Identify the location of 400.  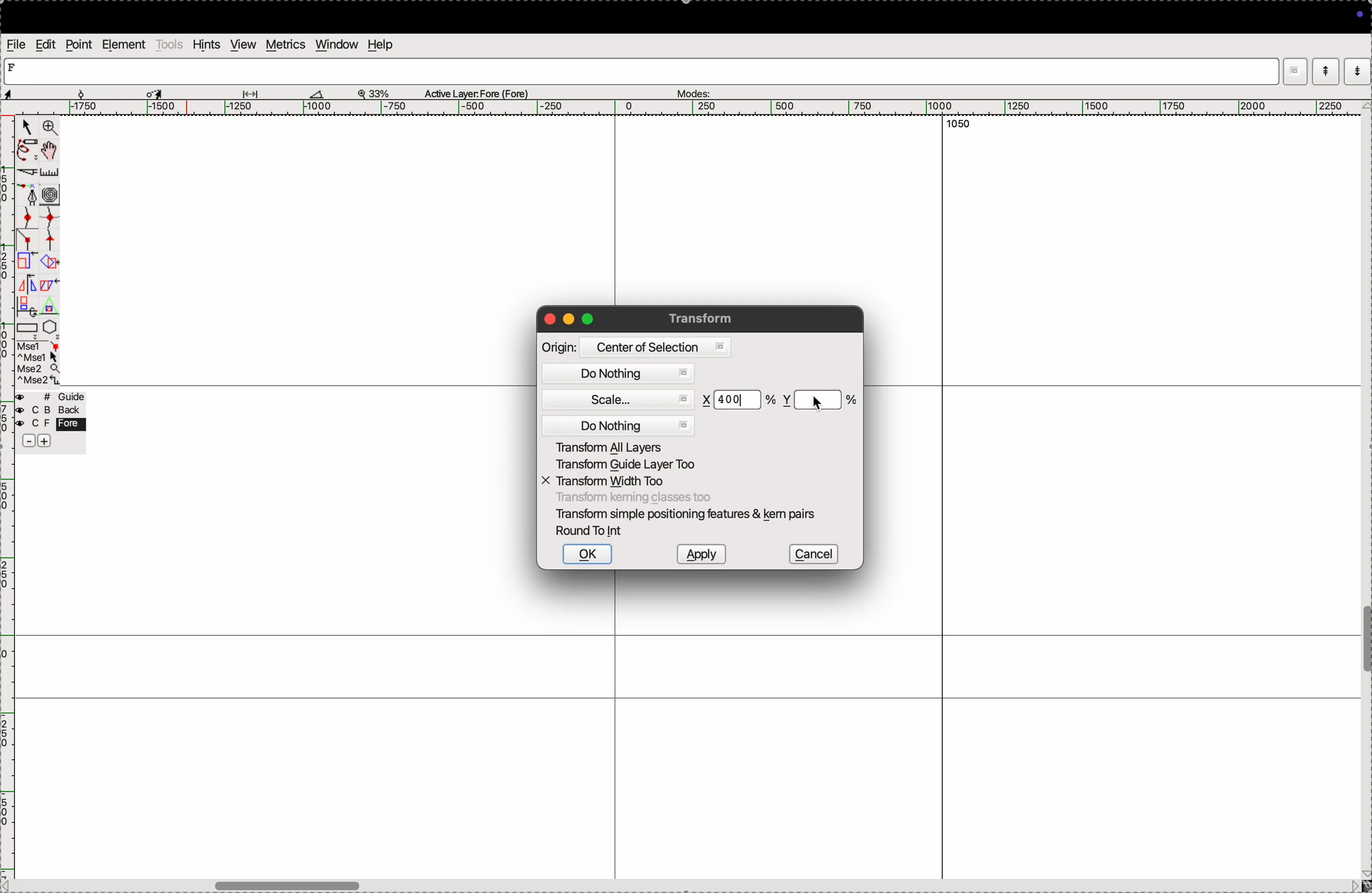
(733, 400).